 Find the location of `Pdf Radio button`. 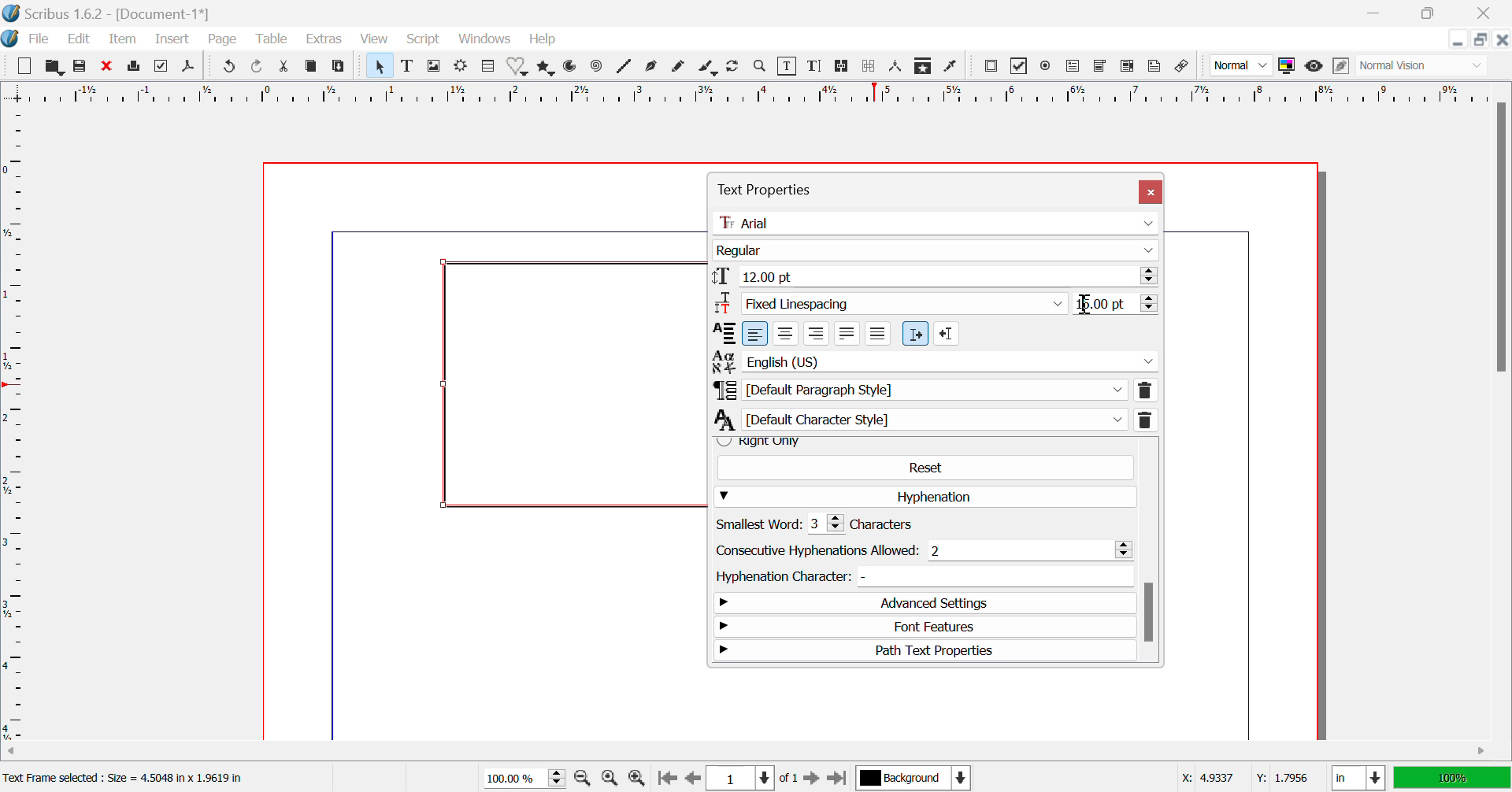

Pdf Radio button is located at coordinates (1048, 66).